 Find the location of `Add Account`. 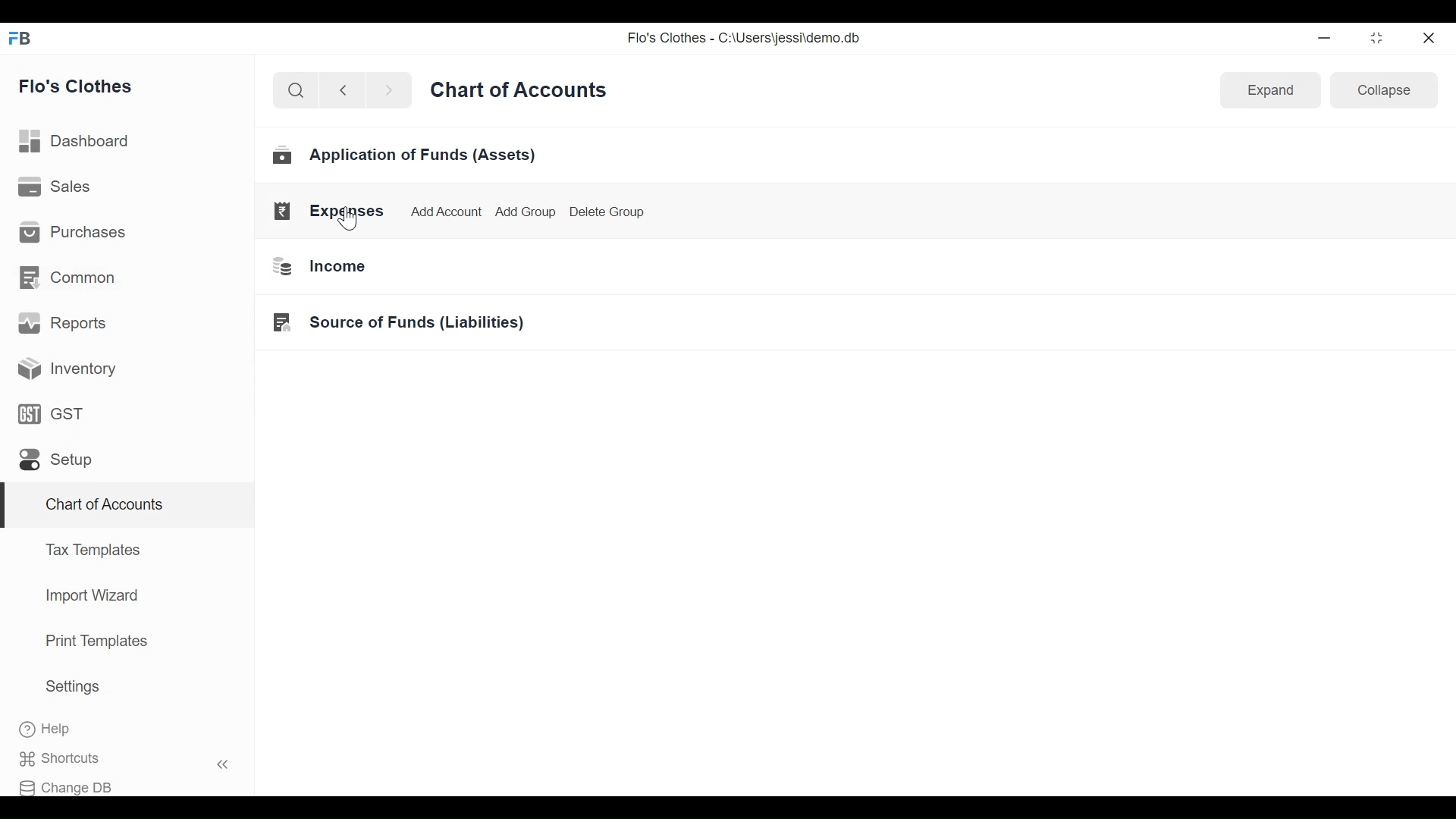

Add Account is located at coordinates (447, 213).